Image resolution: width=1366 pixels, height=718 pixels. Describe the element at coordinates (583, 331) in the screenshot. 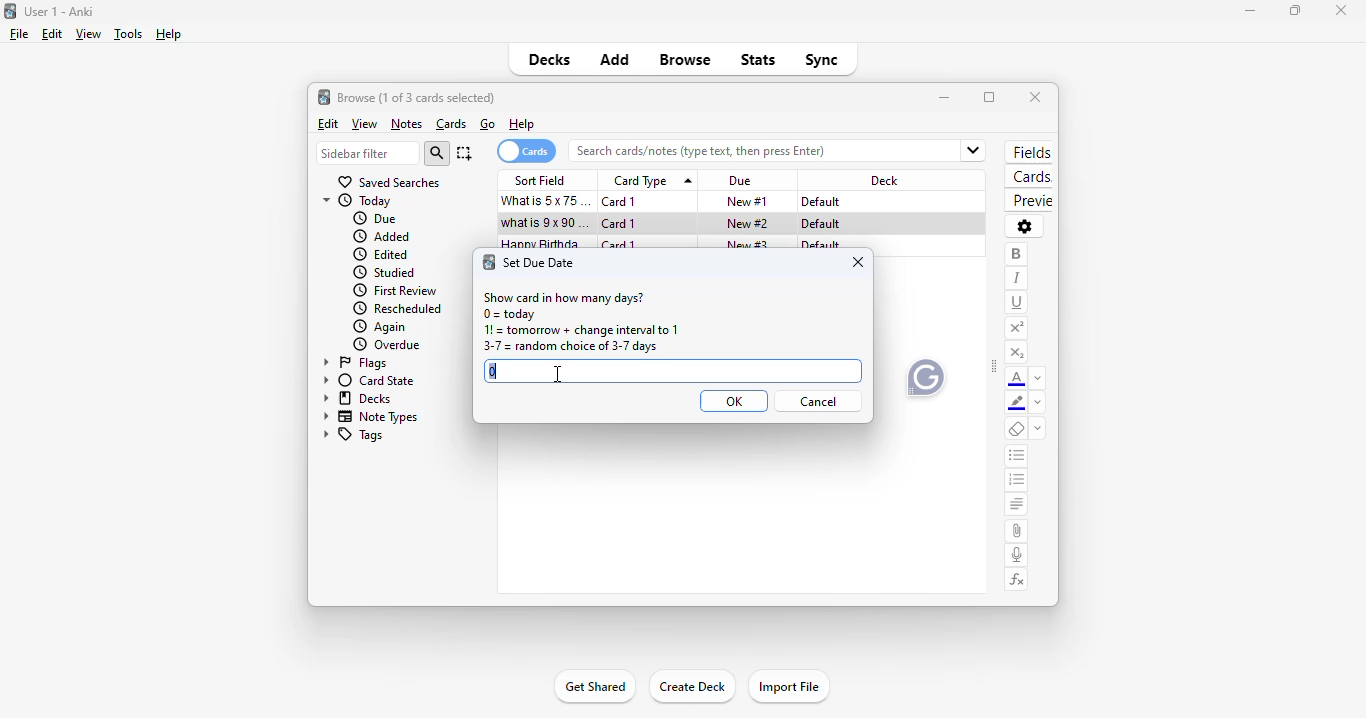

I see `1! = tomorrow + change interval to 1` at that location.